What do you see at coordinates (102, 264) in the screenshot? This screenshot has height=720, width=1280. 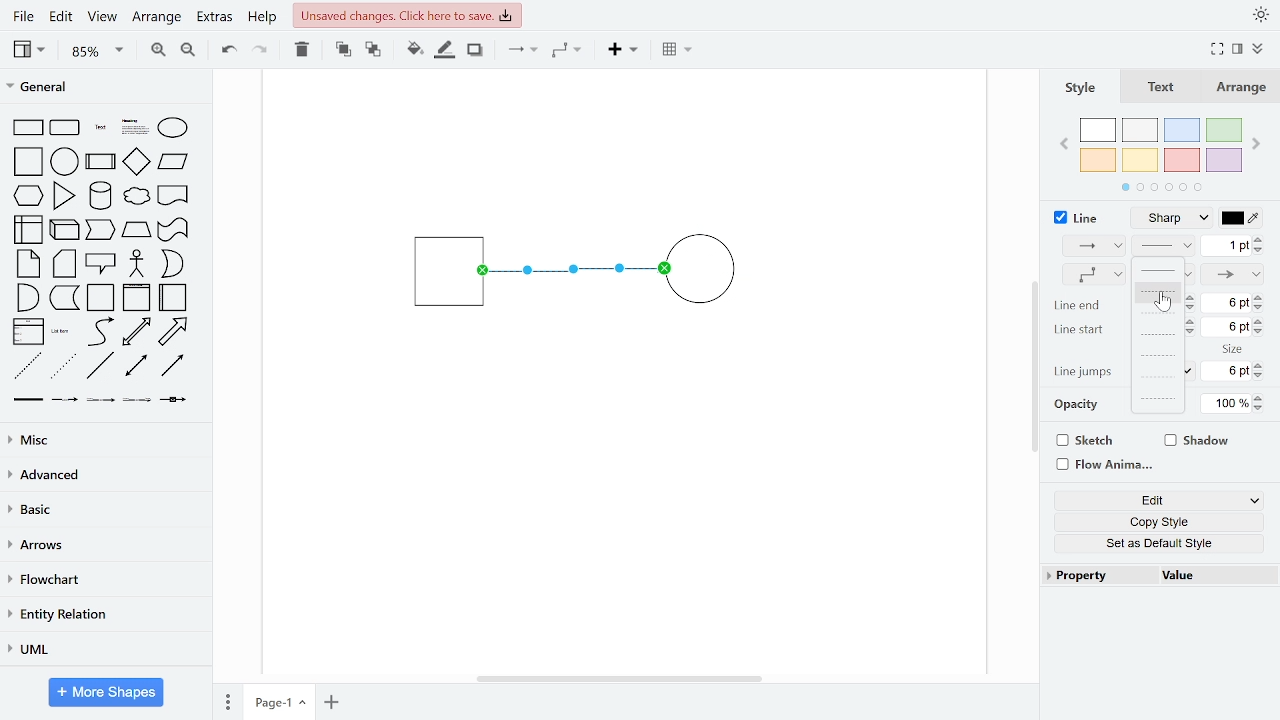 I see `callout` at bounding box center [102, 264].